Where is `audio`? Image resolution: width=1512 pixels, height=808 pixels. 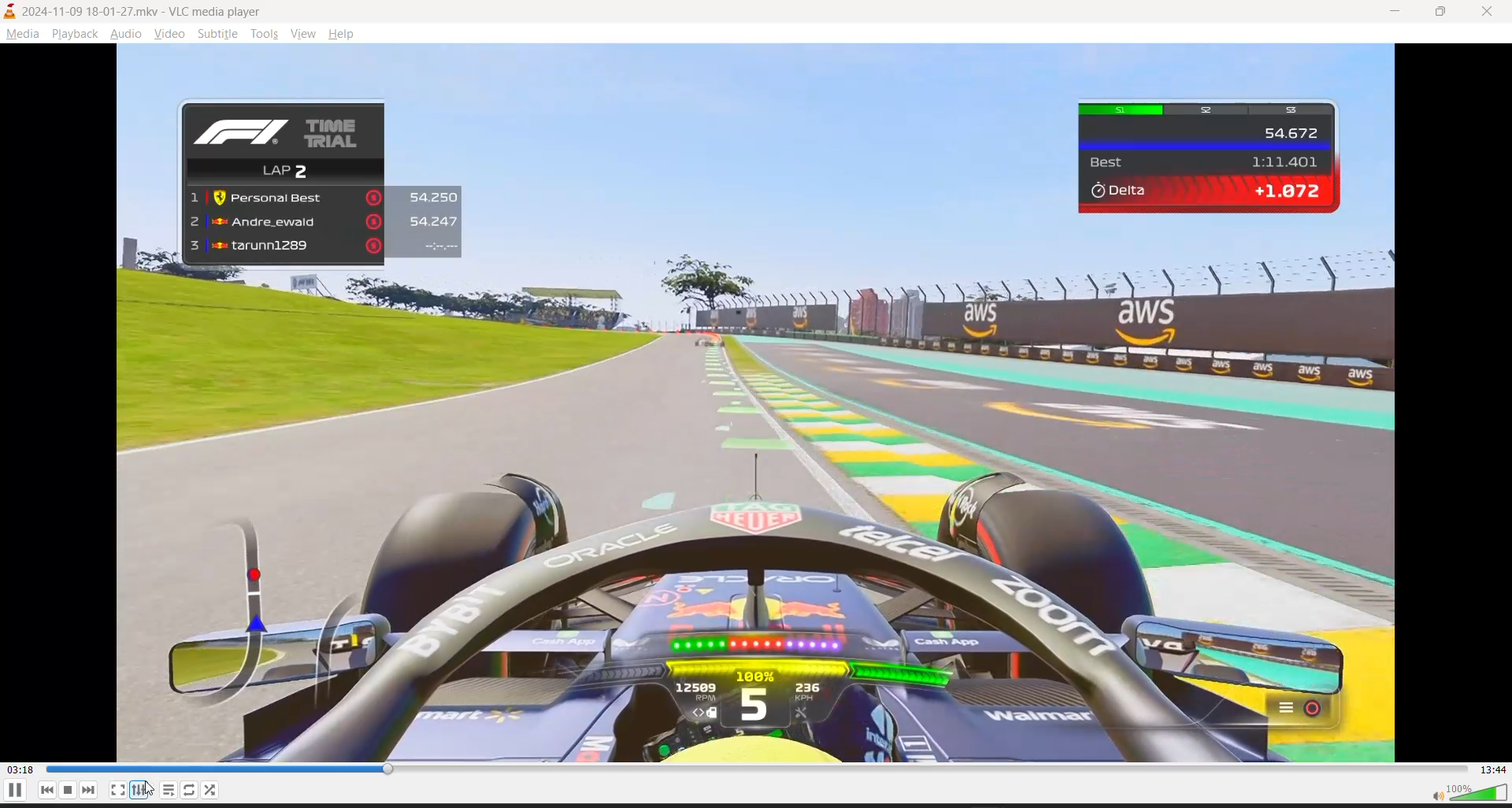 audio is located at coordinates (123, 32).